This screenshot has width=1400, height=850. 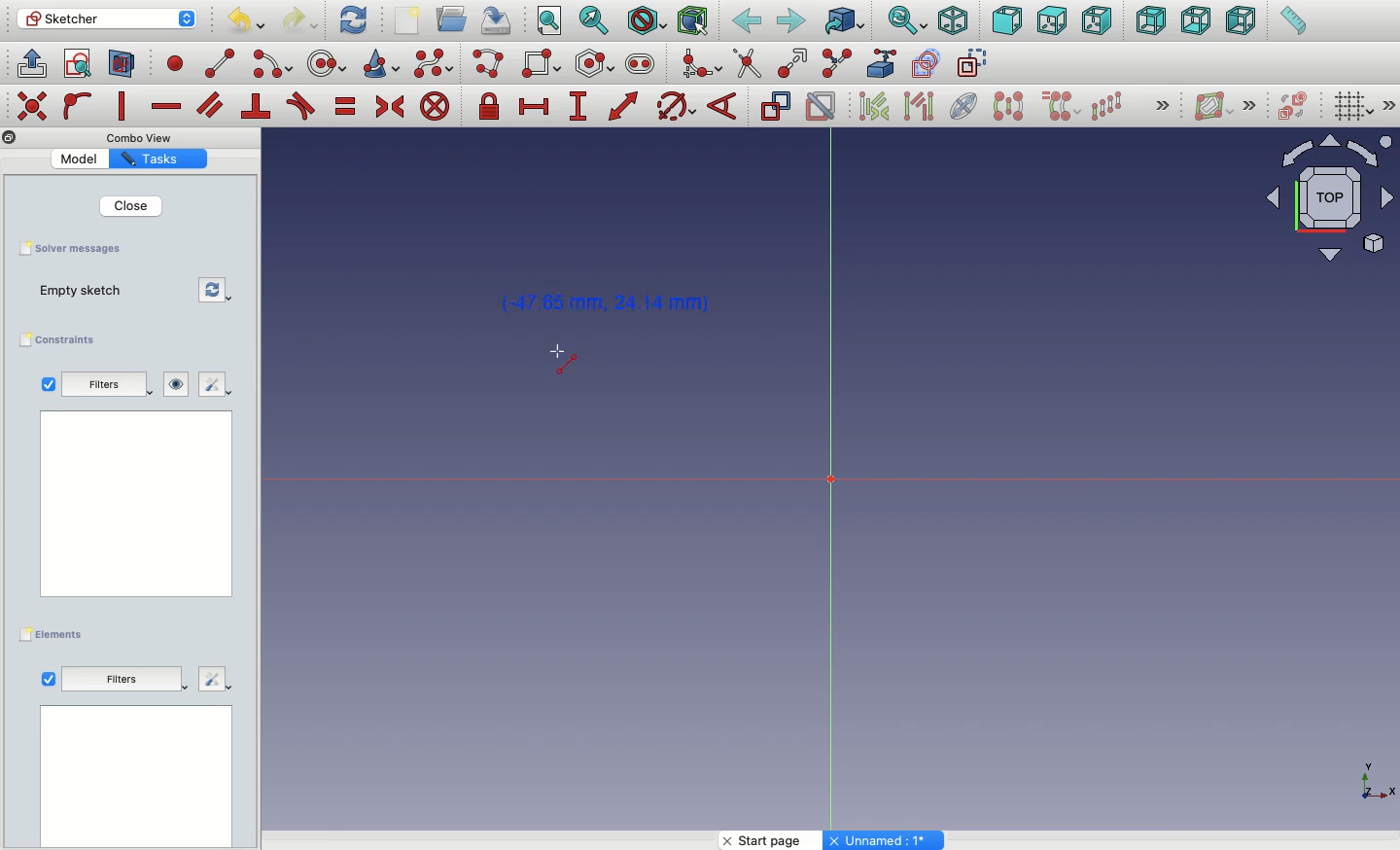 What do you see at coordinates (700, 64) in the screenshot?
I see `Create fillet` at bounding box center [700, 64].